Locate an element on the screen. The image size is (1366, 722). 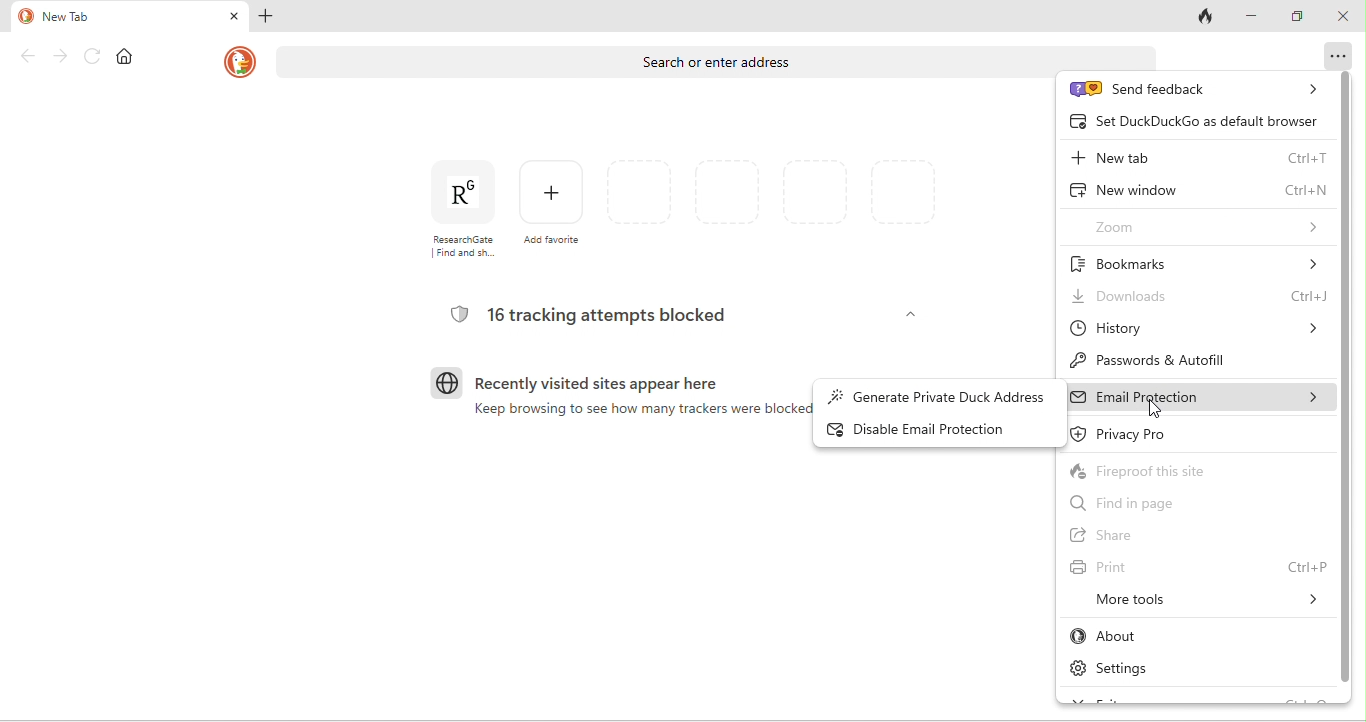
more tools is located at coordinates (1198, 602).